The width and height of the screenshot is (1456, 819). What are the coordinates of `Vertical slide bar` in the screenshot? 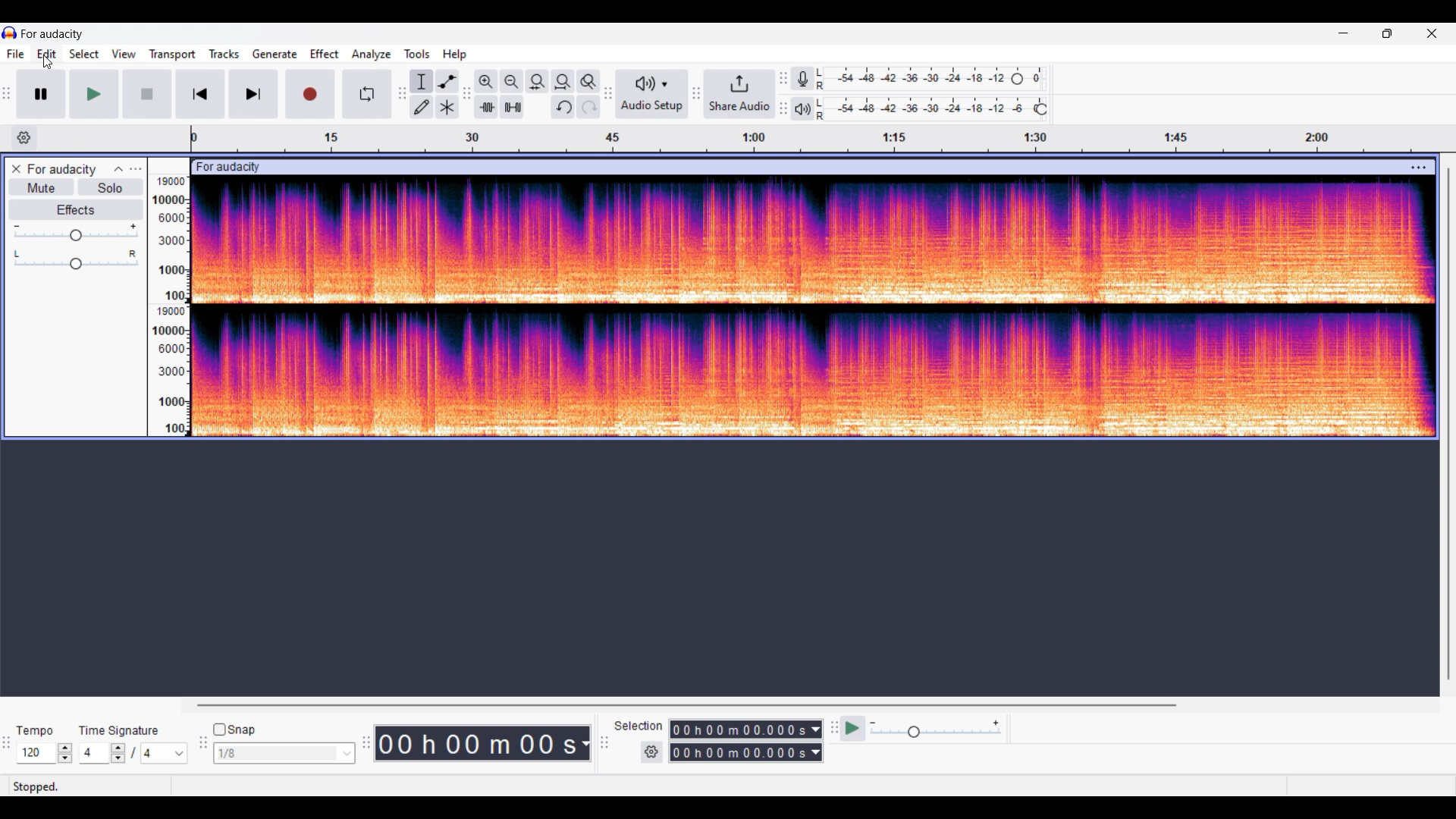 It's located at (1449, 423).